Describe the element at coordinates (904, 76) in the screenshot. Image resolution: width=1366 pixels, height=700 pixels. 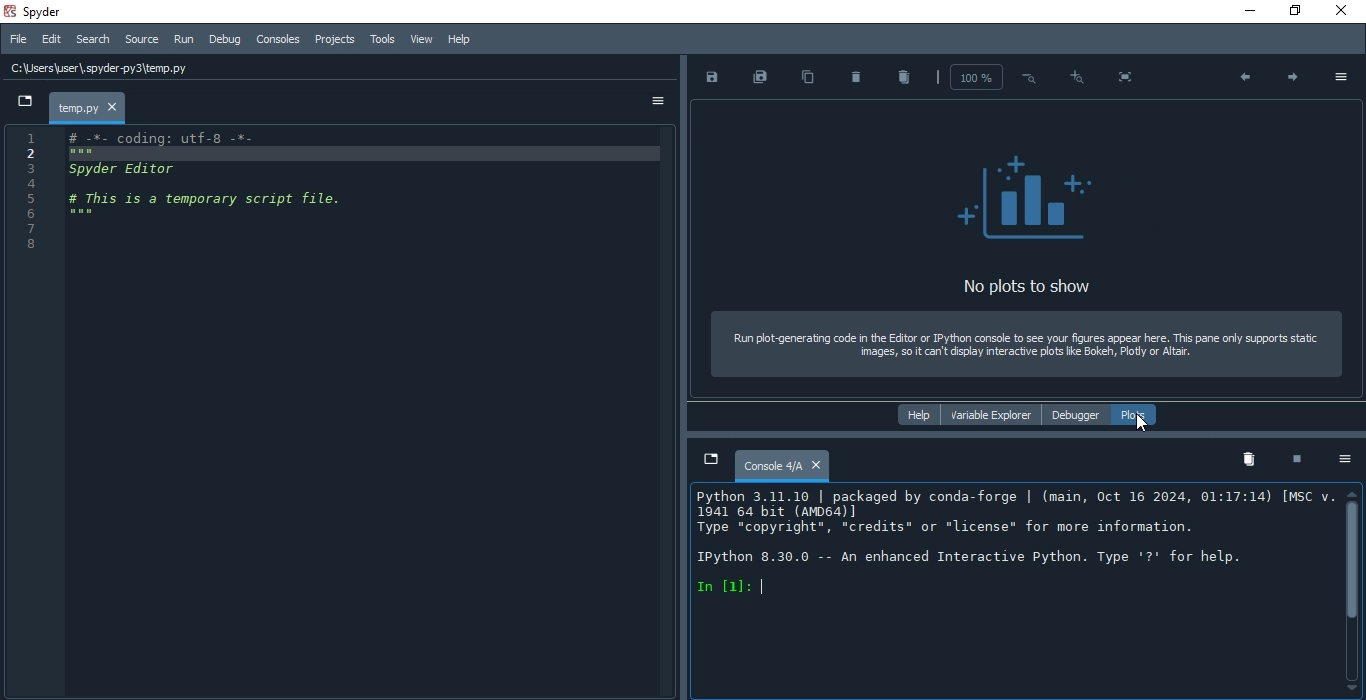
I see `delete all` at that location.